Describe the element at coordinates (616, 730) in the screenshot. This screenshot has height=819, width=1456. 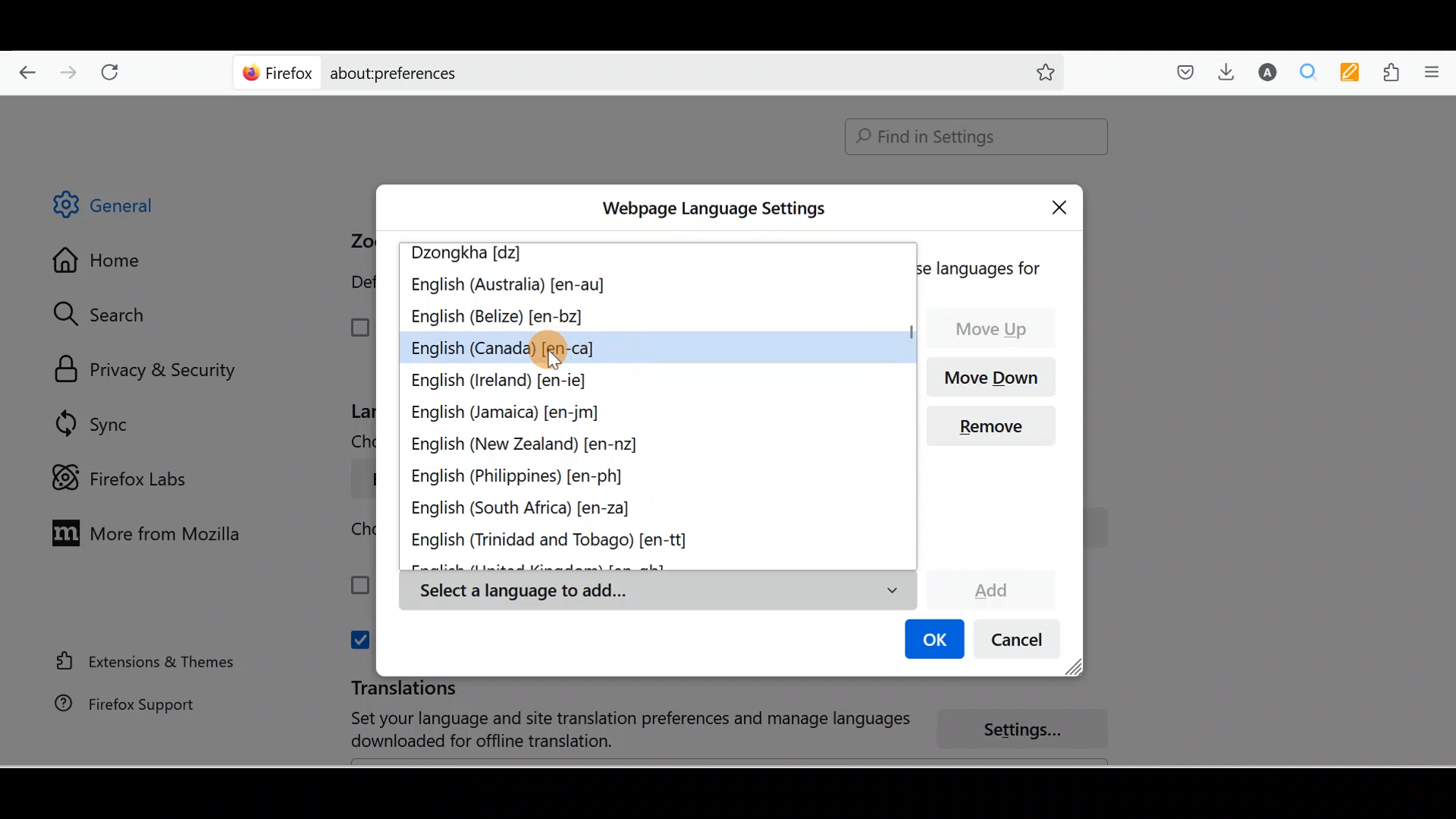
I see `Set your language and site translation preferences and manage language download for offline translation.` at that location.